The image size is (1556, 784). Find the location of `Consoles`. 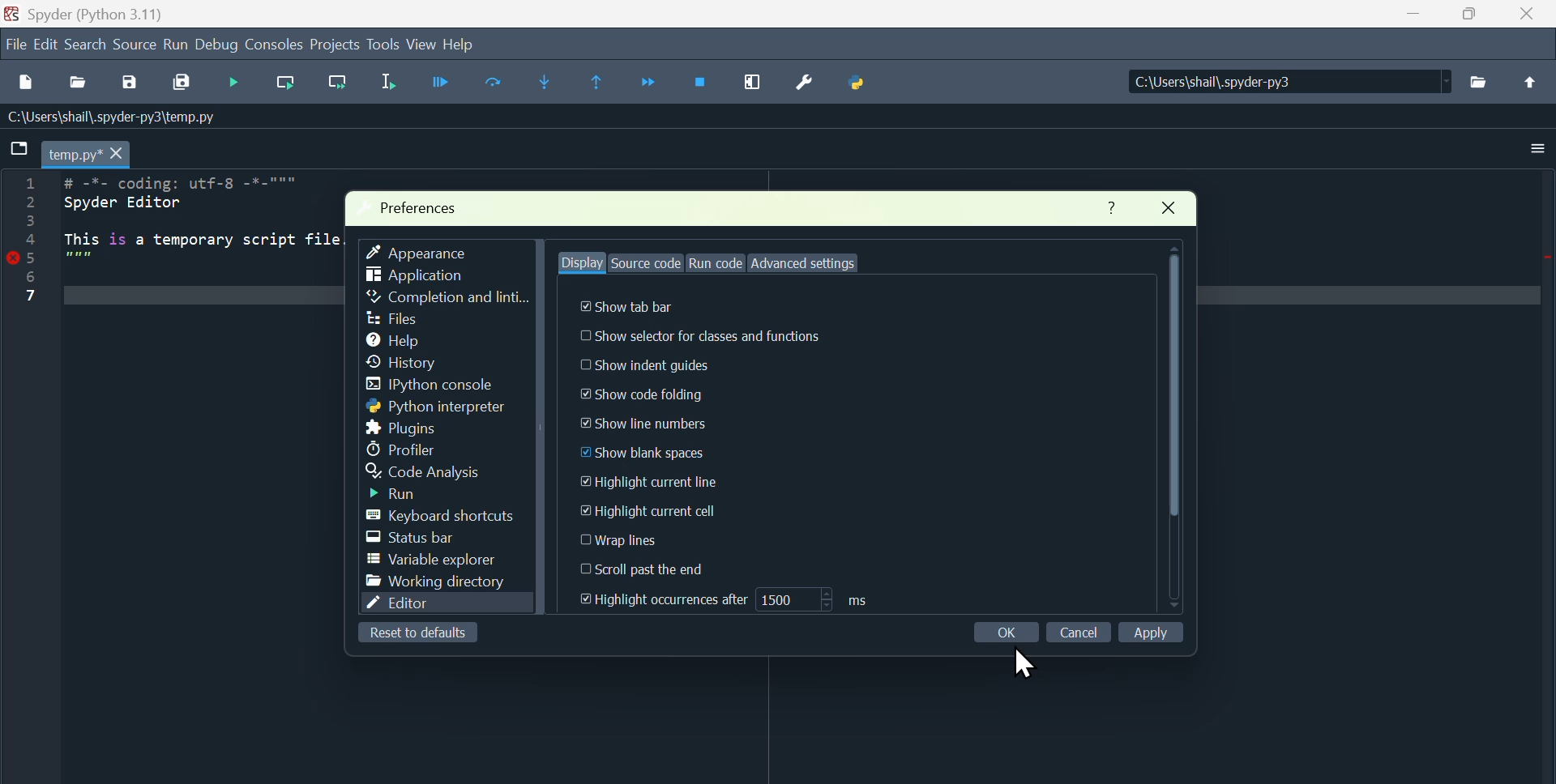

Consoles is located at coordinates (275, 43).